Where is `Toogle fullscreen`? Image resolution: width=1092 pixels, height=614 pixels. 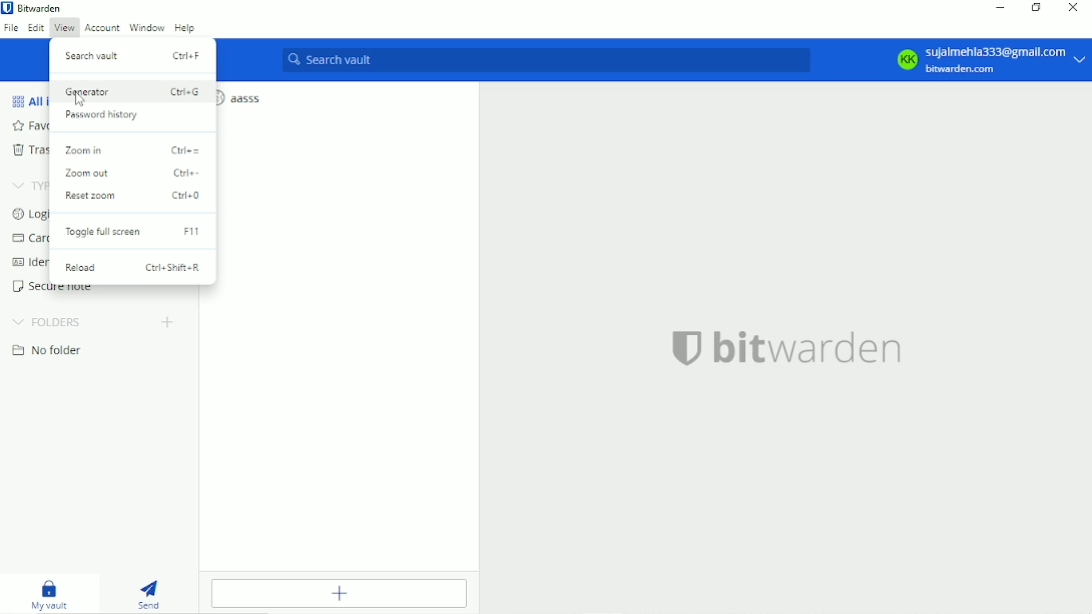 Toogle fullscreen is located at coordinates (134, 232).